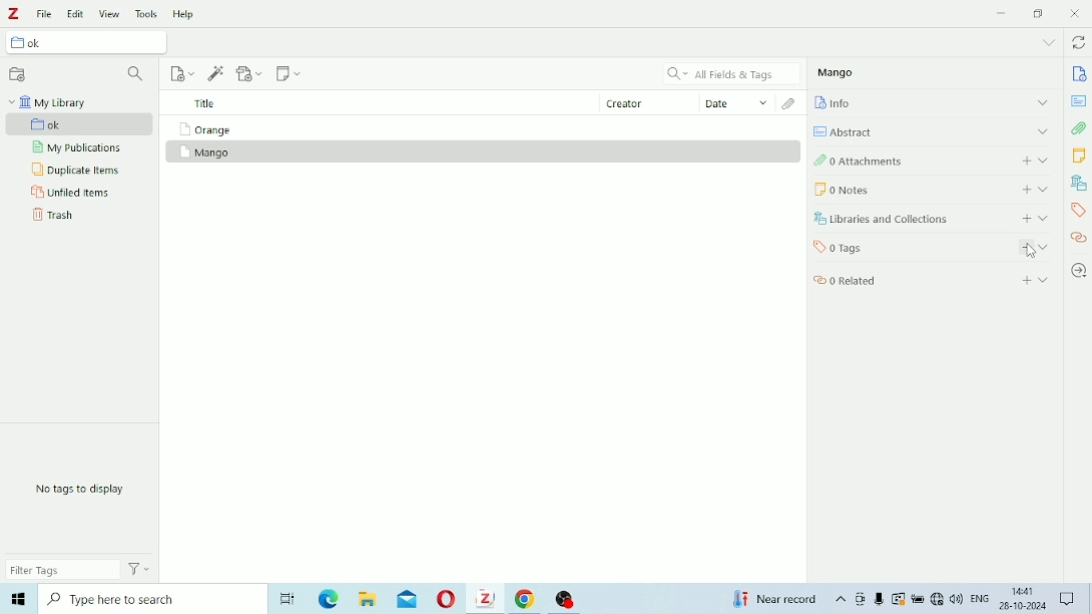 This screenshot has height=614, width=1092. Describe the element at coordinates (1079, 101) in the screenshot. I see `Abstract` at that location.